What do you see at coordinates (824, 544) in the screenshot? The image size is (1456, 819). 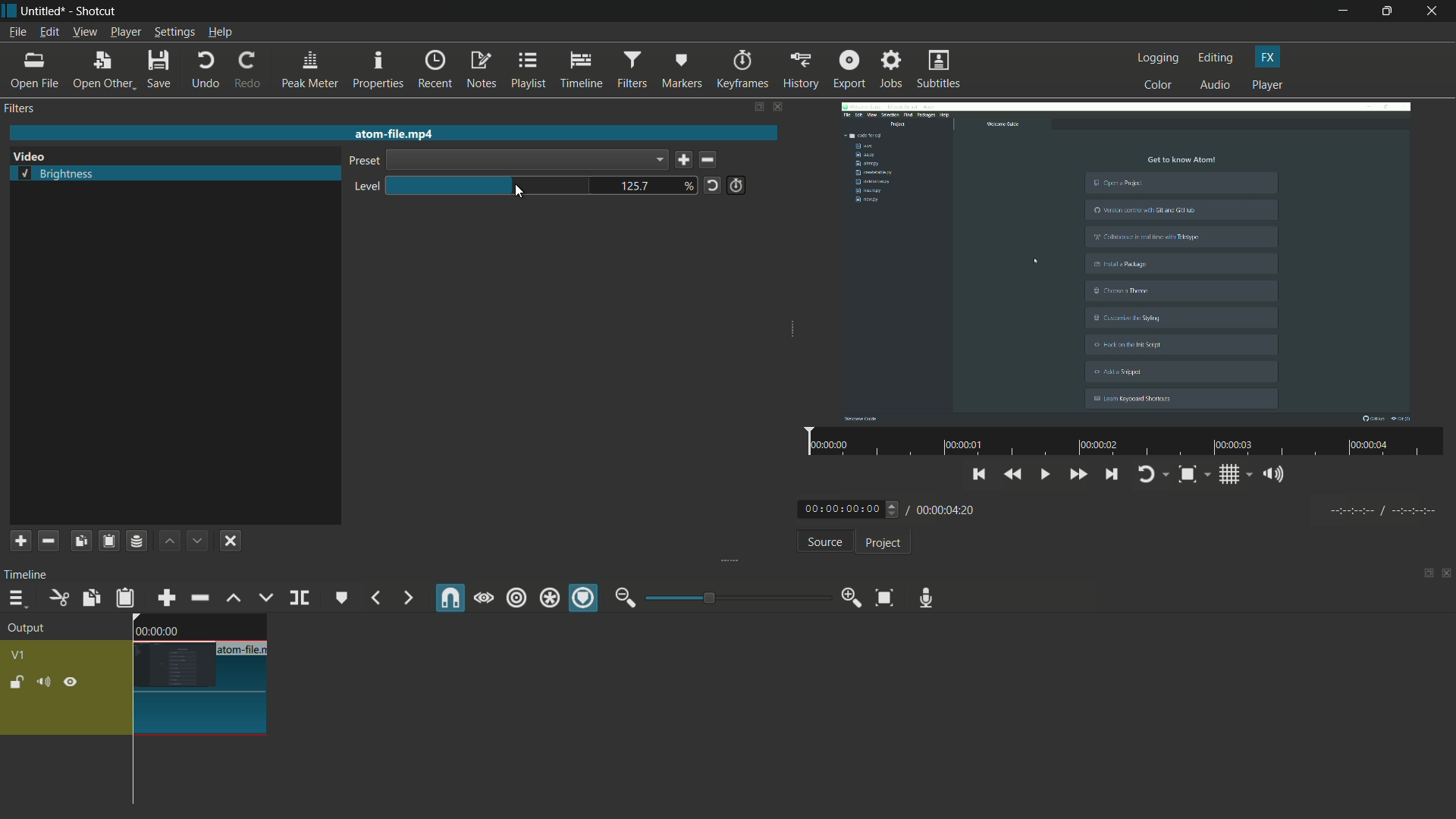 I see `source` at bounding box center [824, 544].